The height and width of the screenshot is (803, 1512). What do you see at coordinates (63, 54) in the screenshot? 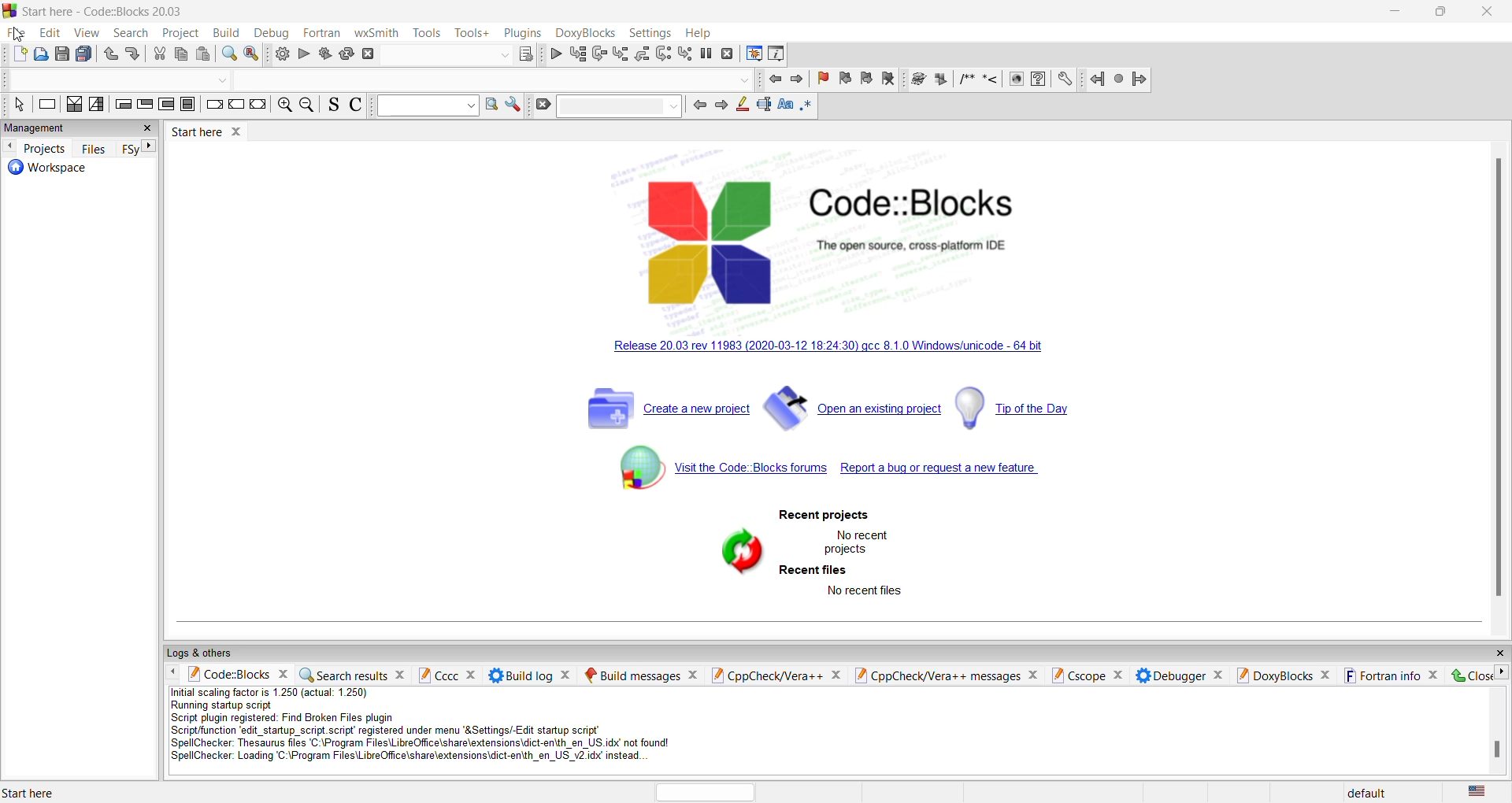
I see `save` at bounding box center [63, 54].